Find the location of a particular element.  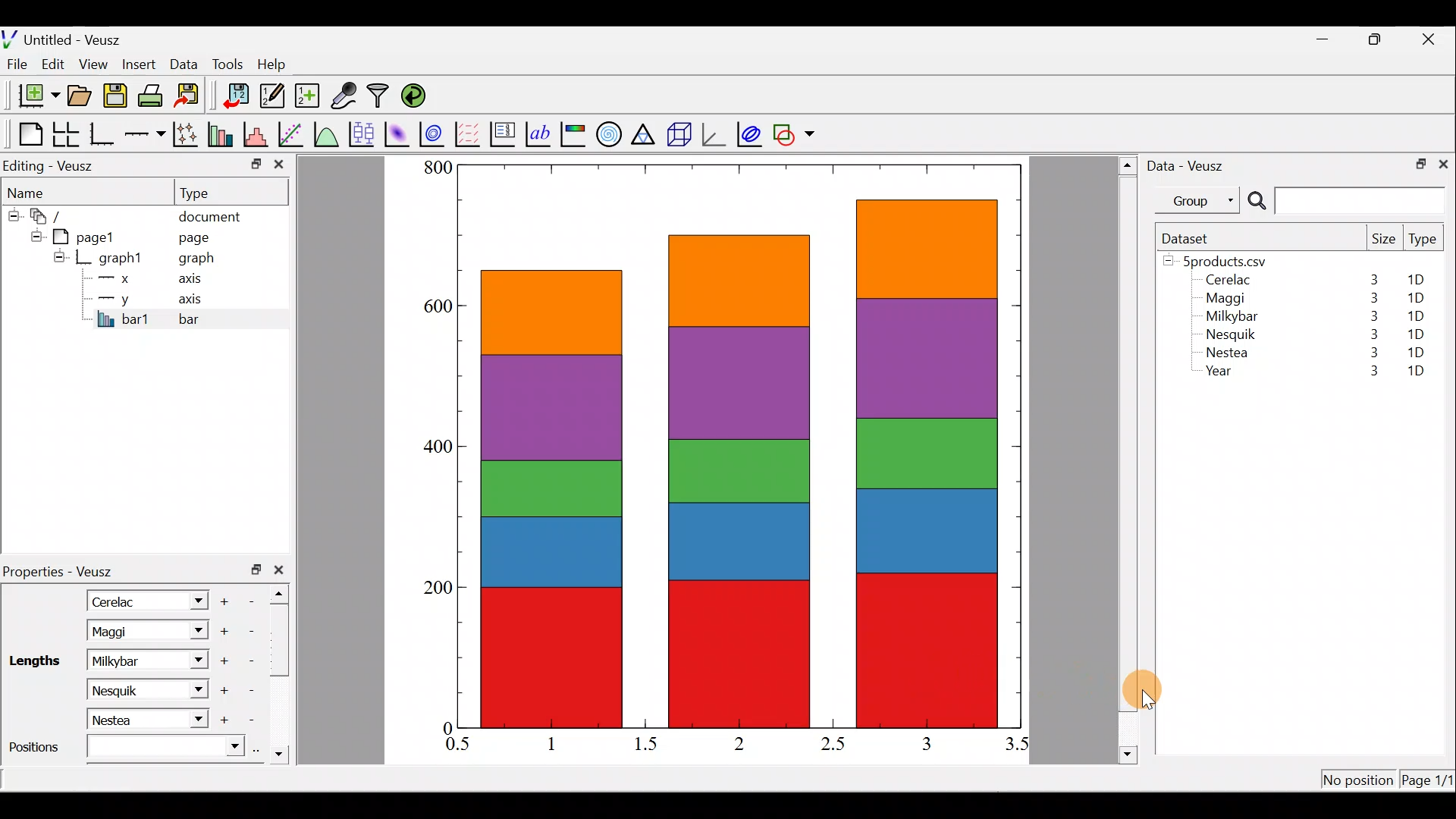

Tools is located at coordinates (227, 63).